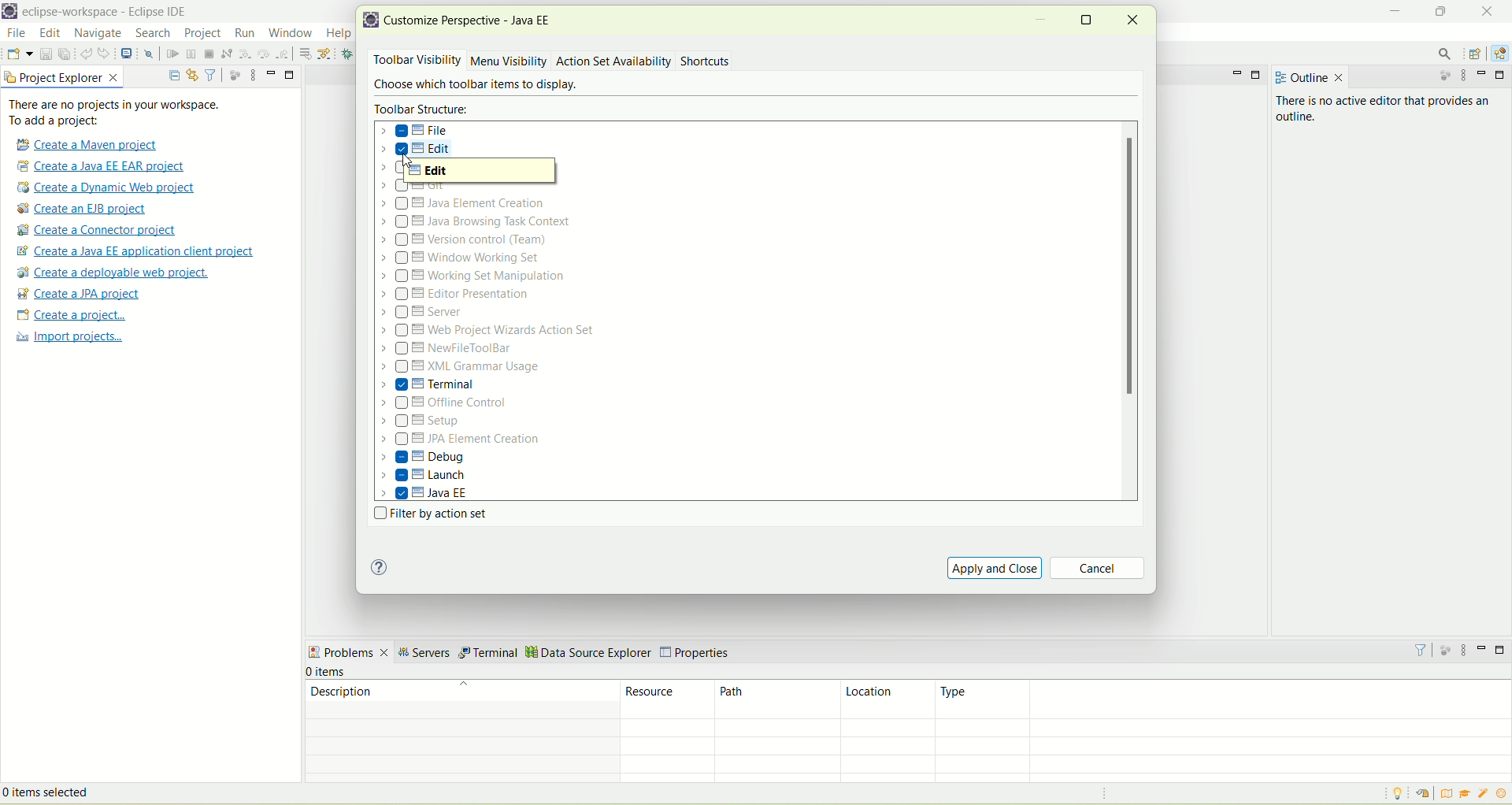 This screenshot has height=805, width=1512. I want to click on create a connector project, so click(97, 232).